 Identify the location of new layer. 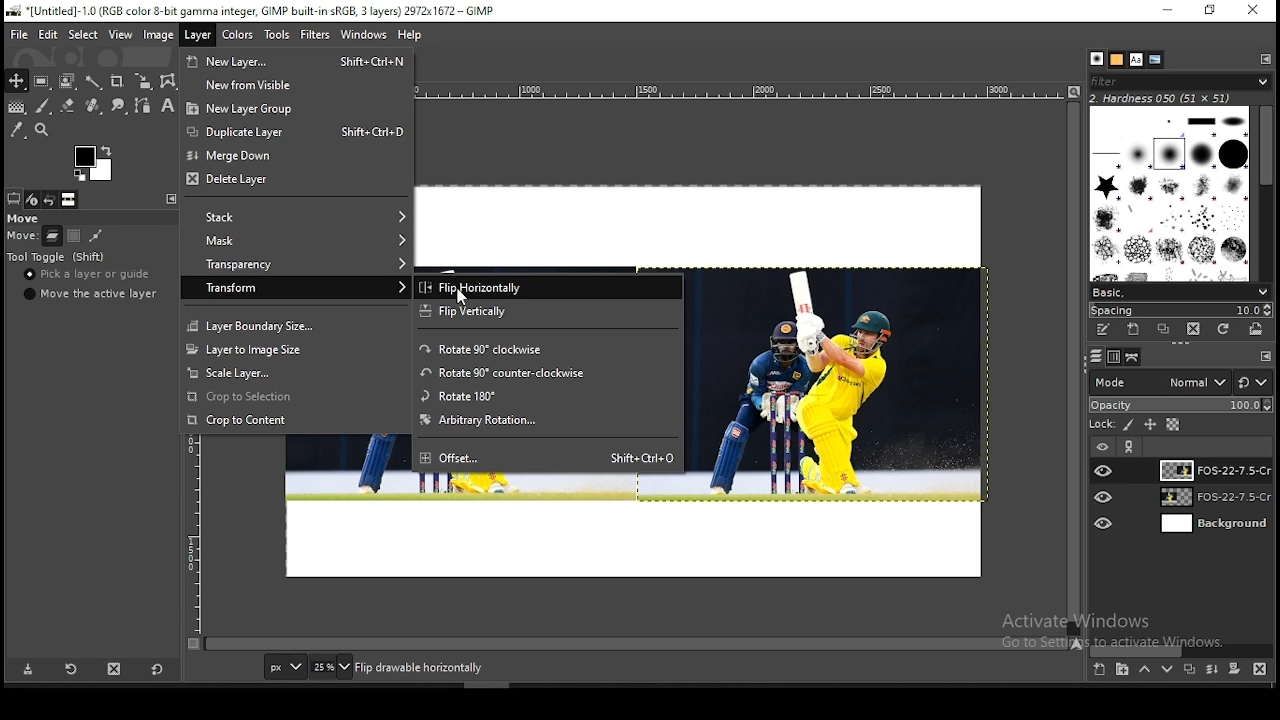
(253, 59).